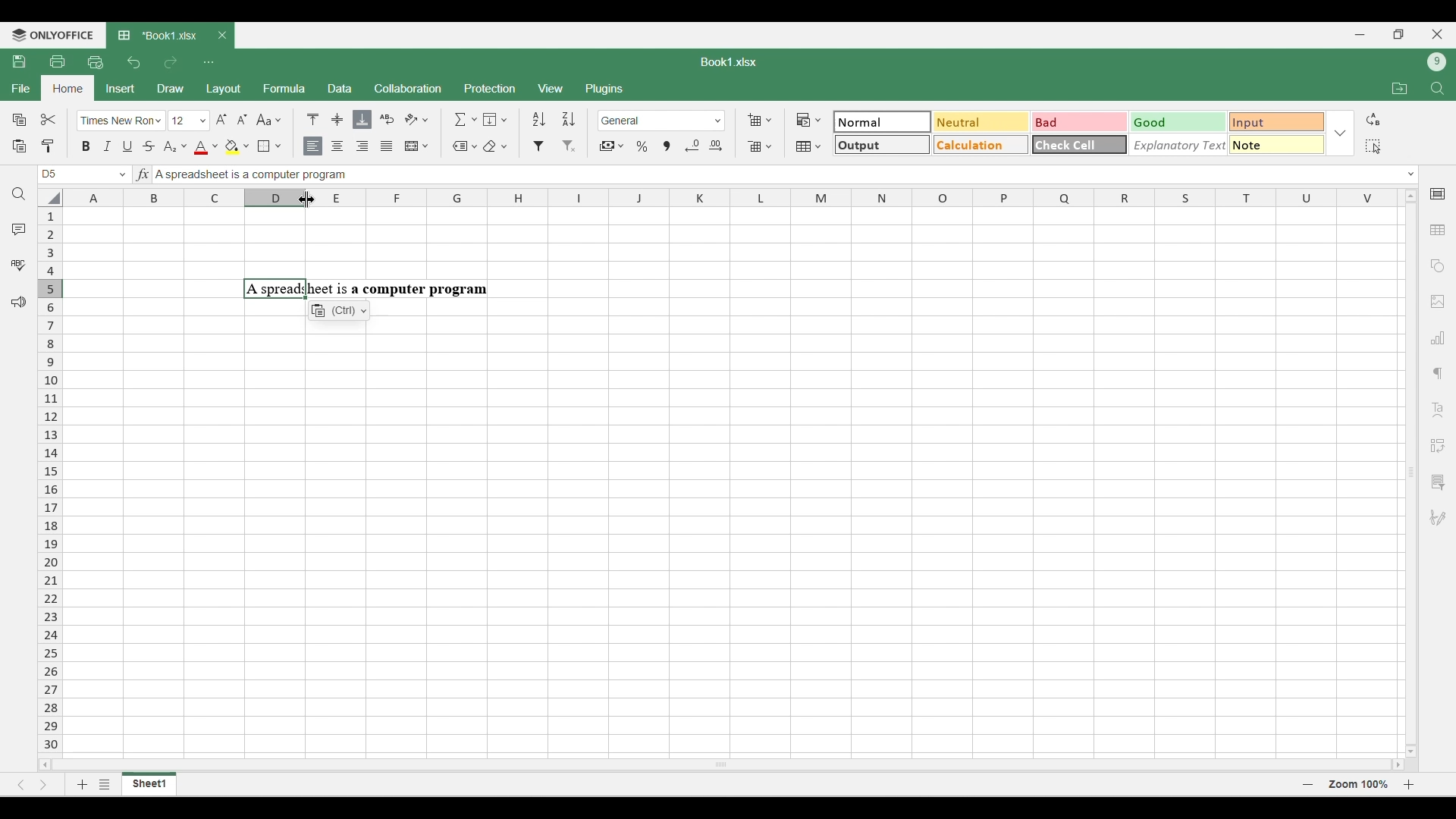 This screenshot has height=819, width=1456. Describe the element at coordinates (1308, 784) in the screenshot. I see `Zoom out` at that location.